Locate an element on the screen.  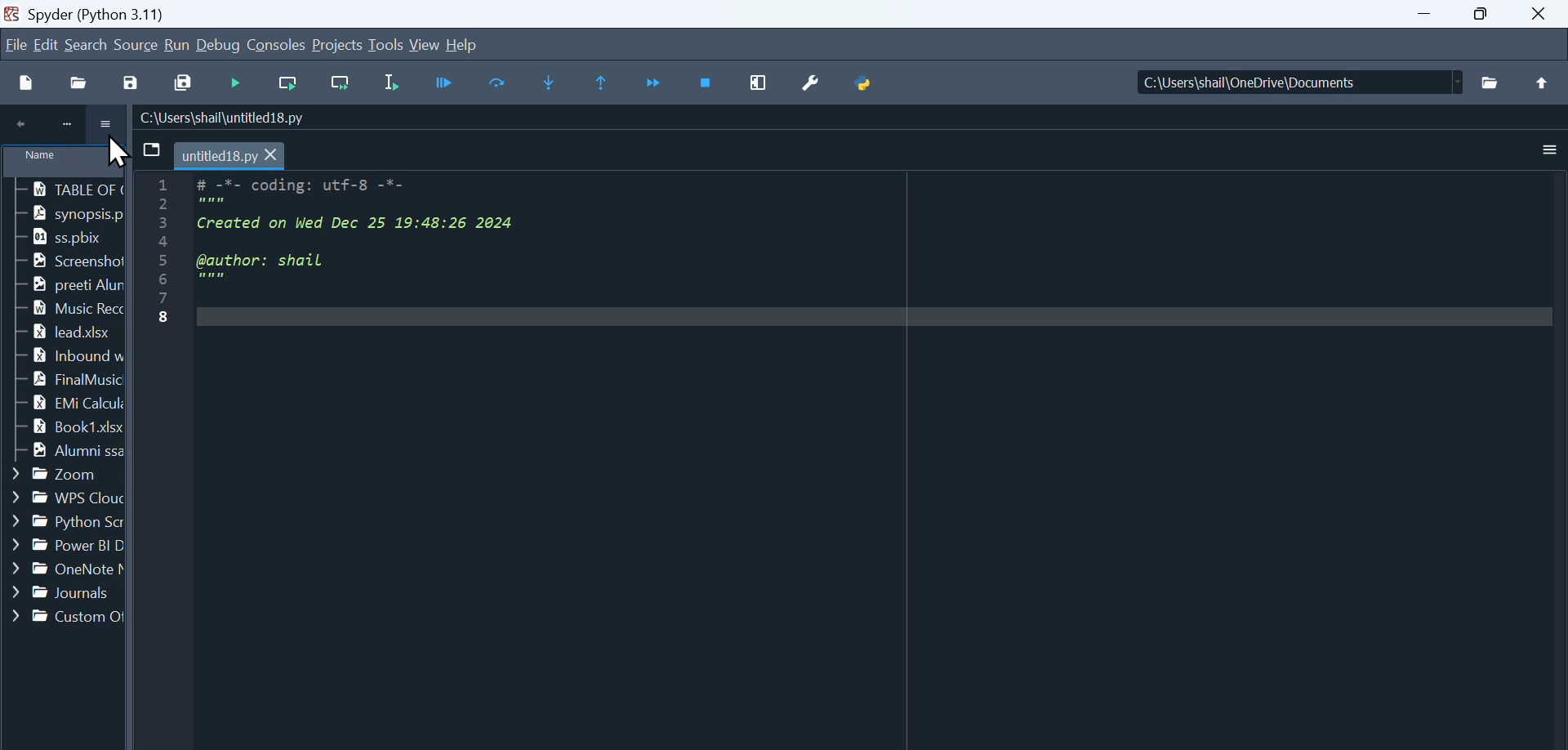
open parent directory is located at coordinates (1543, 83).